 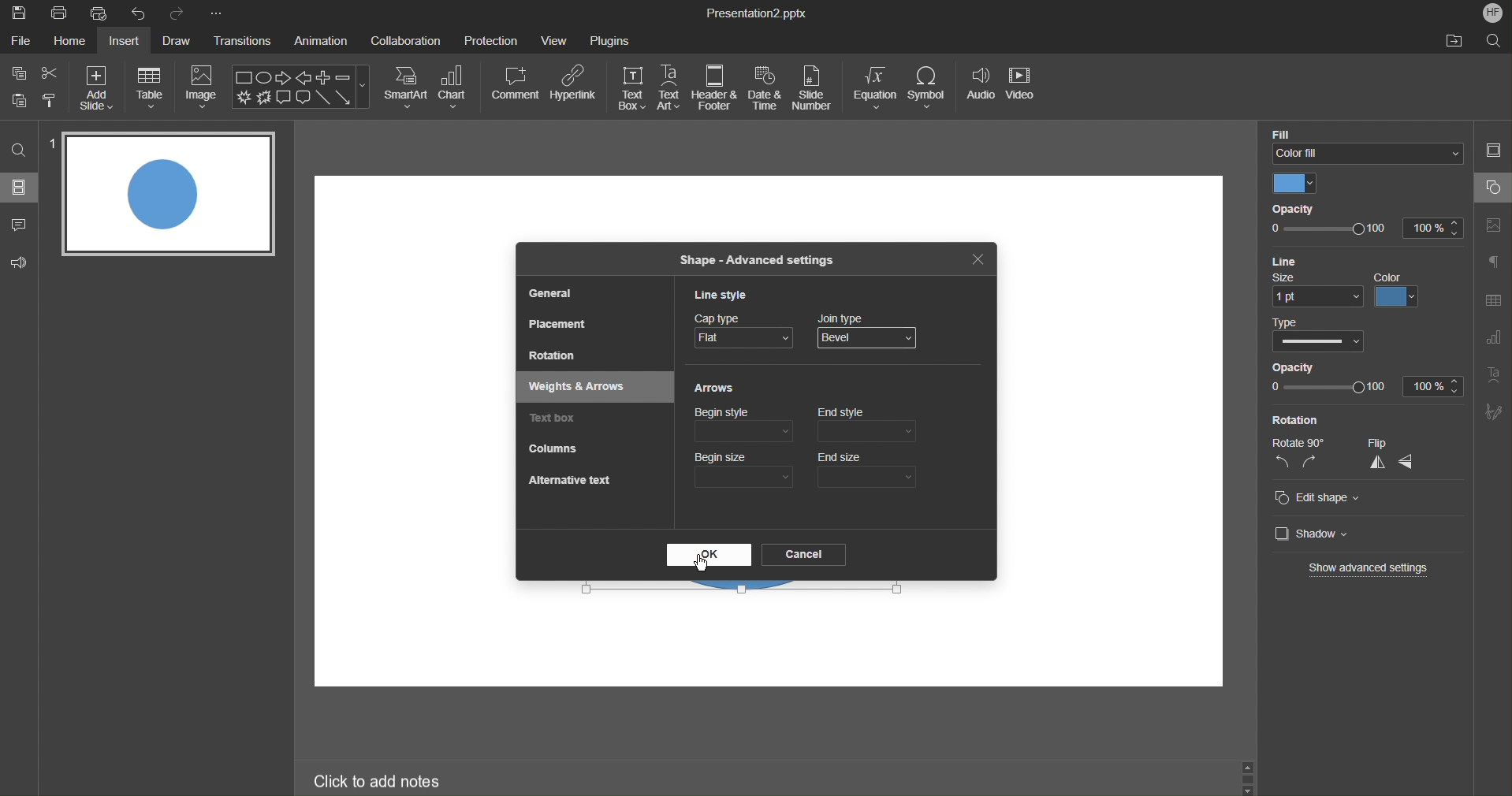 I want to click on Text Art, so click(x=670, y=88).